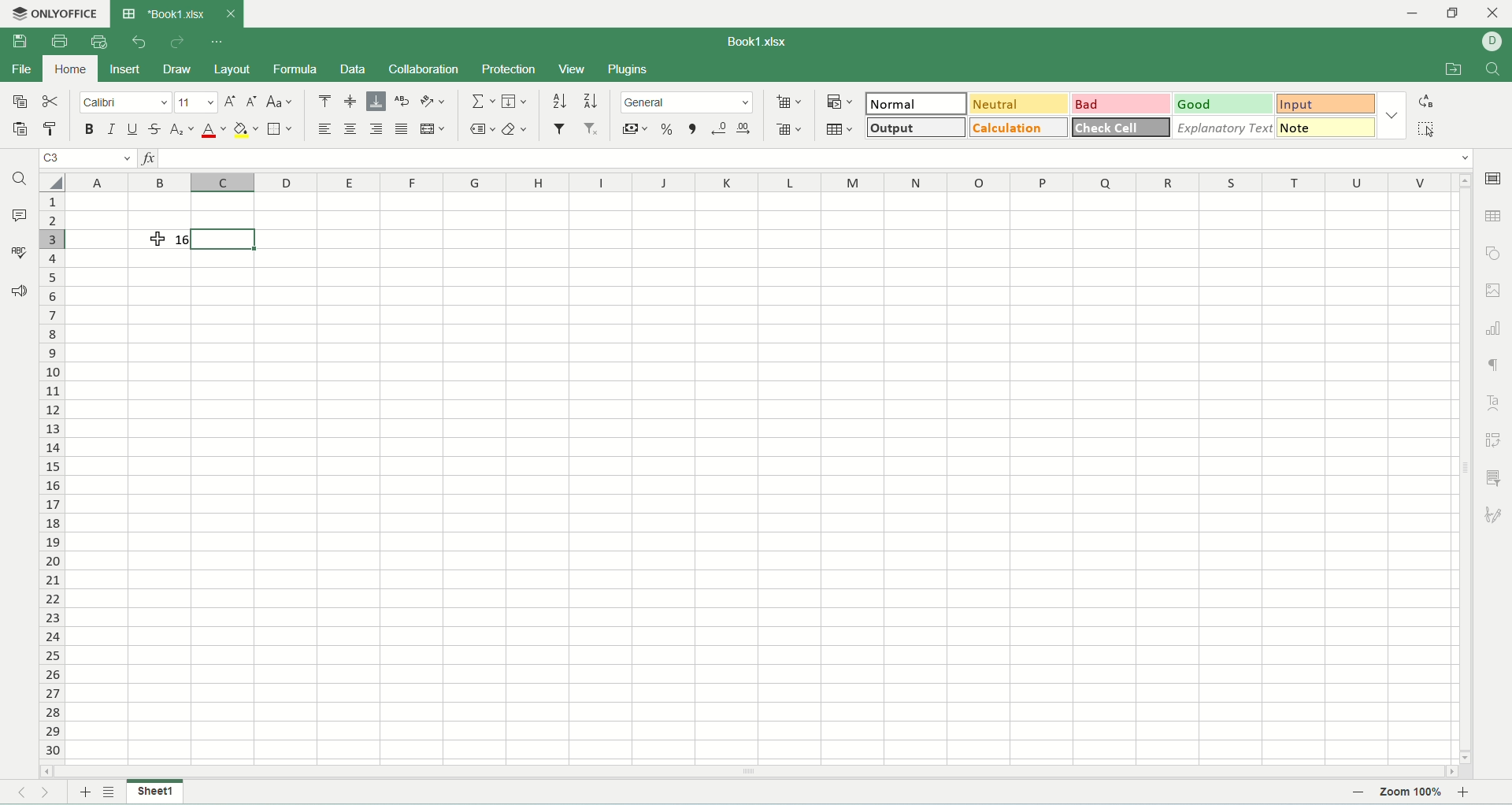  What do you see at coordinates (749, 770) in the screenshot?
I see `horizontal scroll bar` at bounding box center [749, 770].